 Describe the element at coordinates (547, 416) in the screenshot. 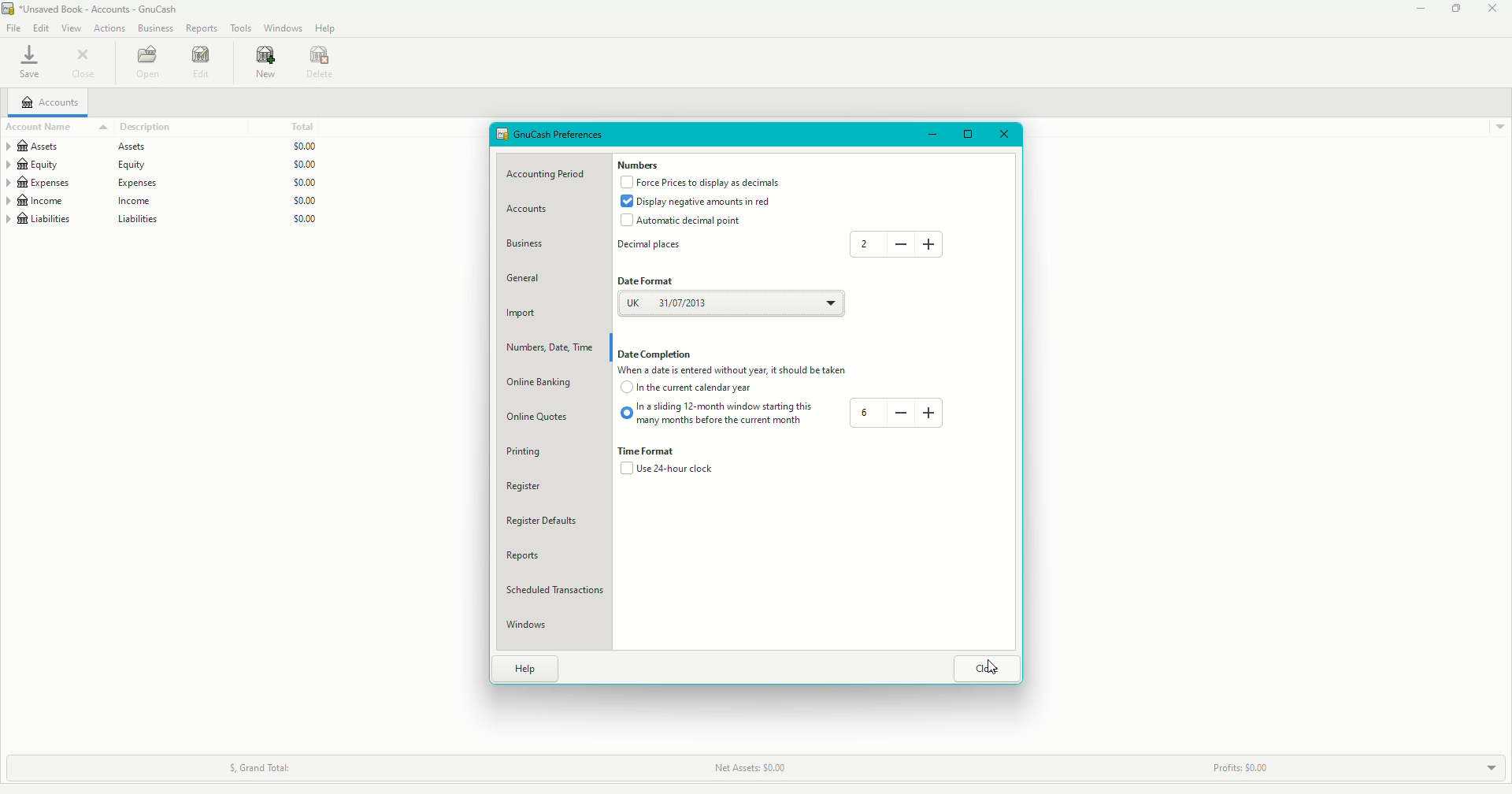

I see `Online Quotes` at that location.